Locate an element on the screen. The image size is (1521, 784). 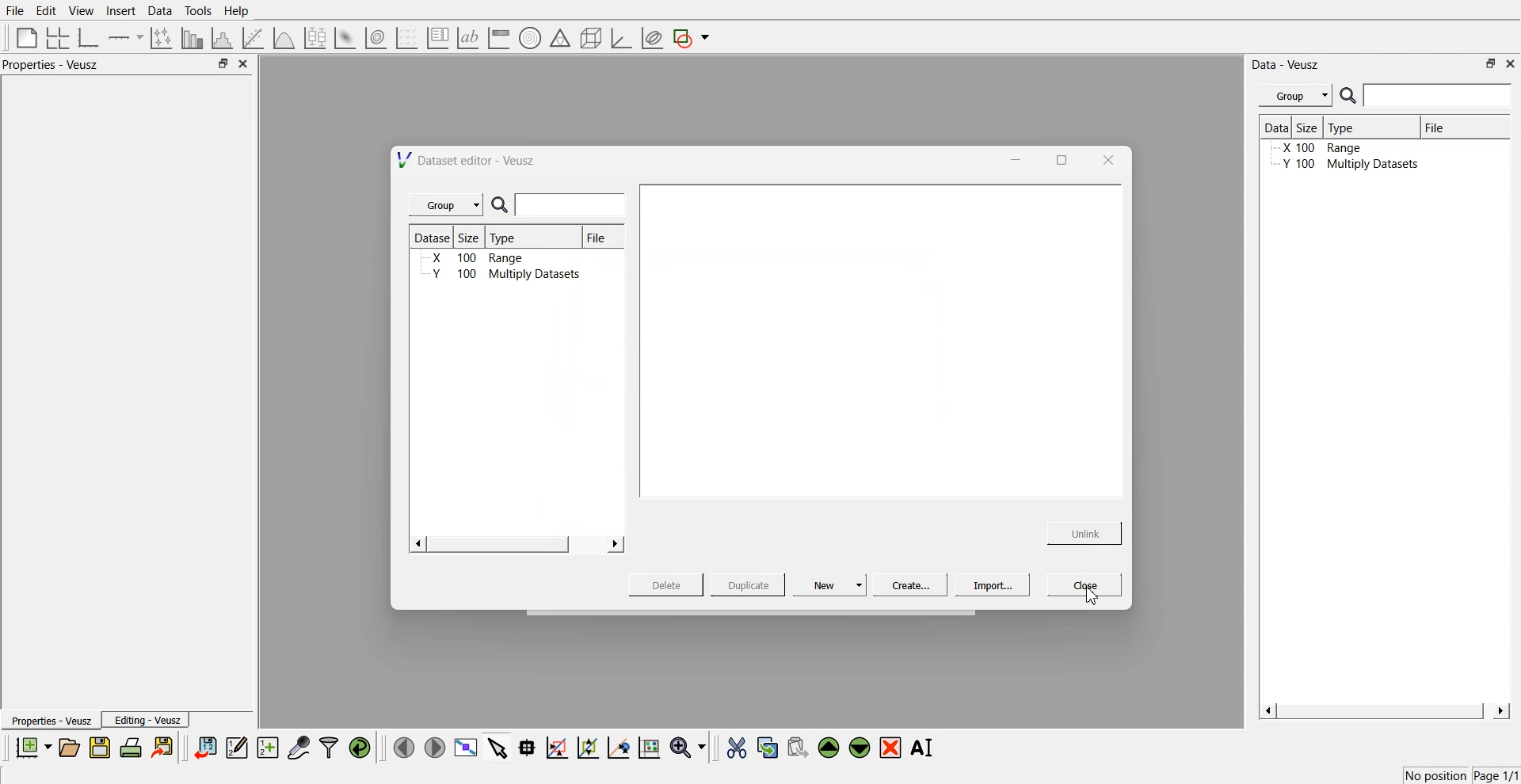
view plot full screen is located at coordinates (465, 748).